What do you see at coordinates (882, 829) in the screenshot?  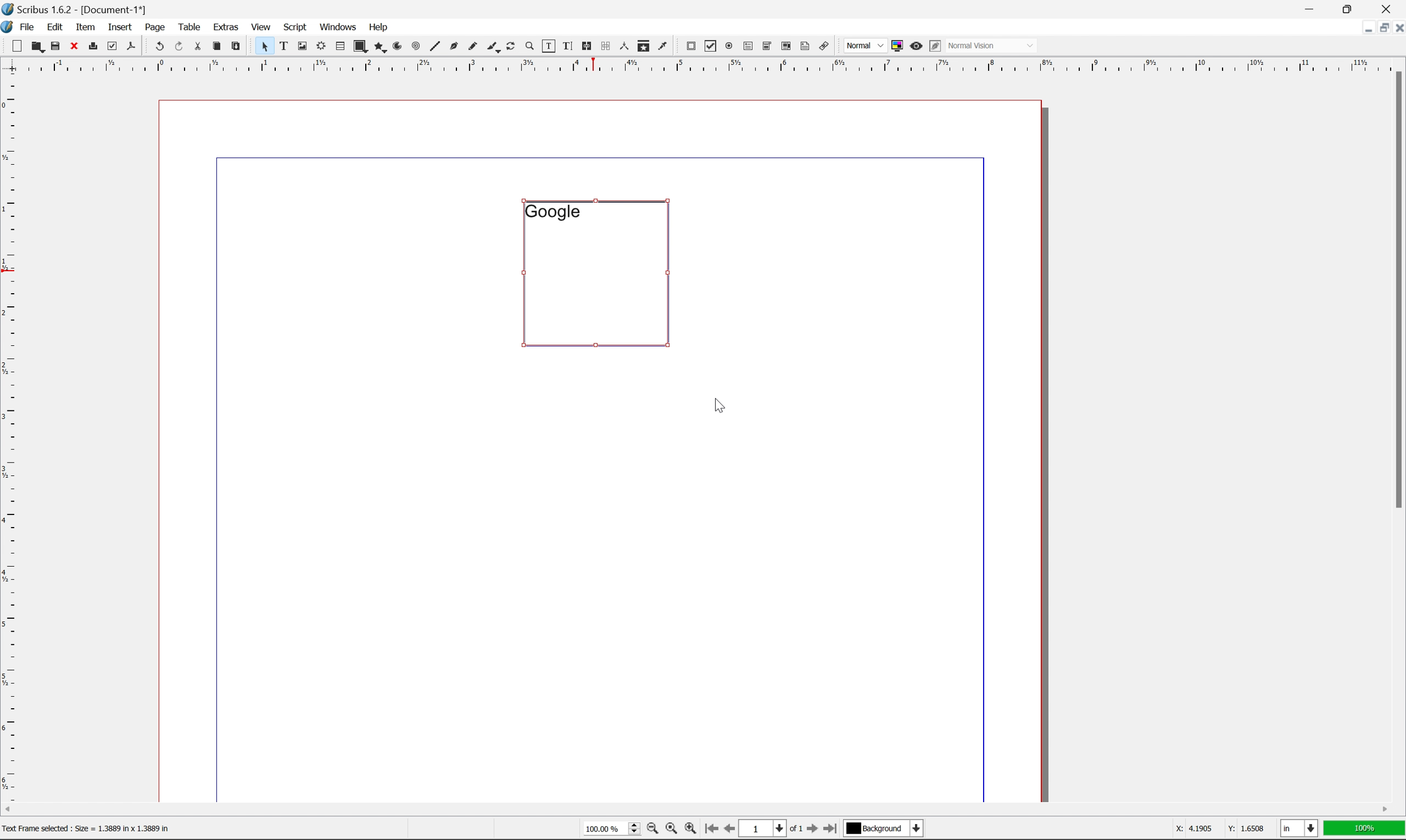 I see `select current layer` at bounding box center [882, 829].